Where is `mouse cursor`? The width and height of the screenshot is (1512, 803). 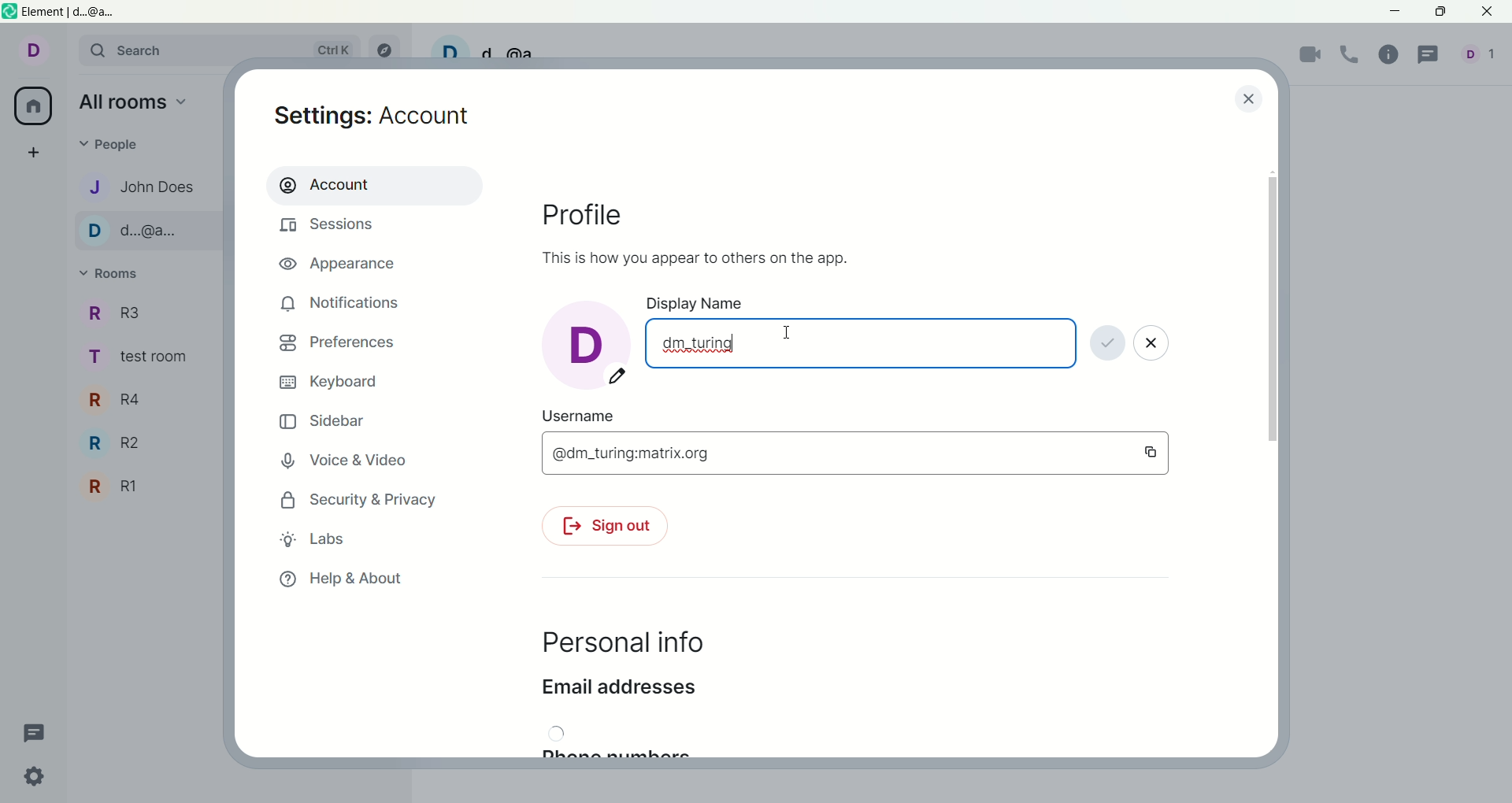
mouse cursor is located at coordinates (788, 334).